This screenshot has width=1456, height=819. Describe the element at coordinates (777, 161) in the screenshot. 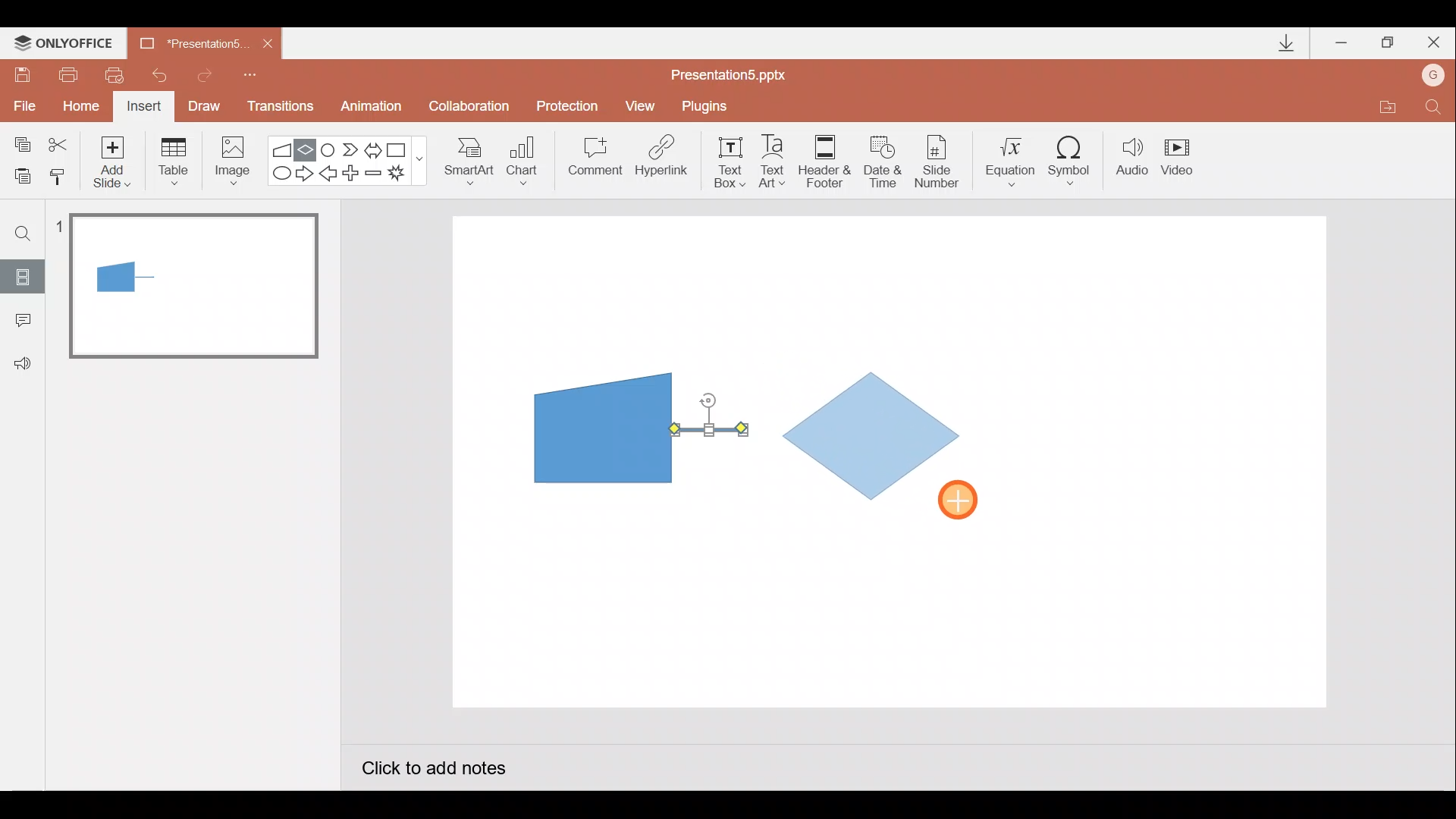

I see `Text Art` at that location.